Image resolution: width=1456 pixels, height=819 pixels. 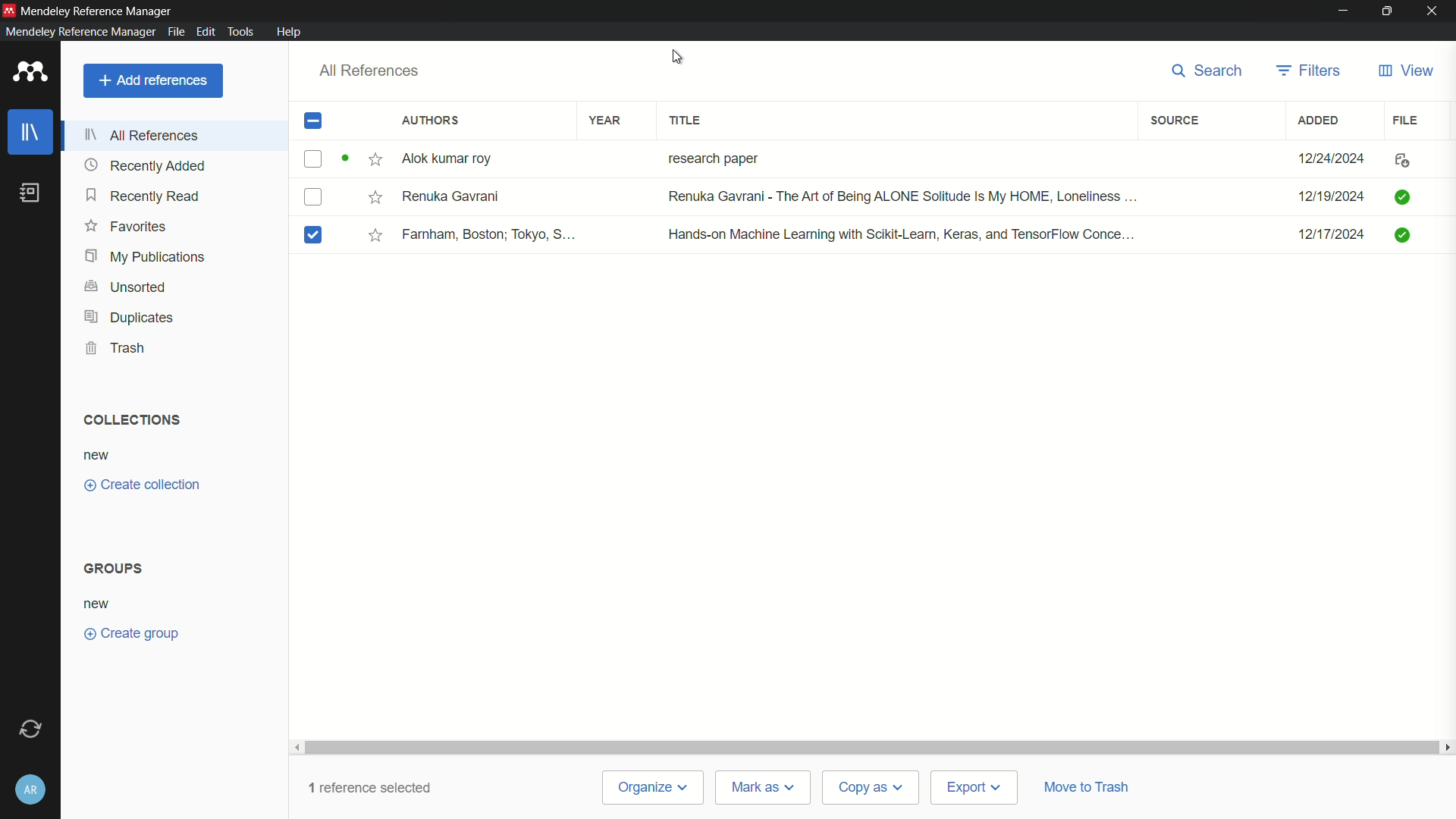 I want to click on recently read, so click(x=143, y=195).